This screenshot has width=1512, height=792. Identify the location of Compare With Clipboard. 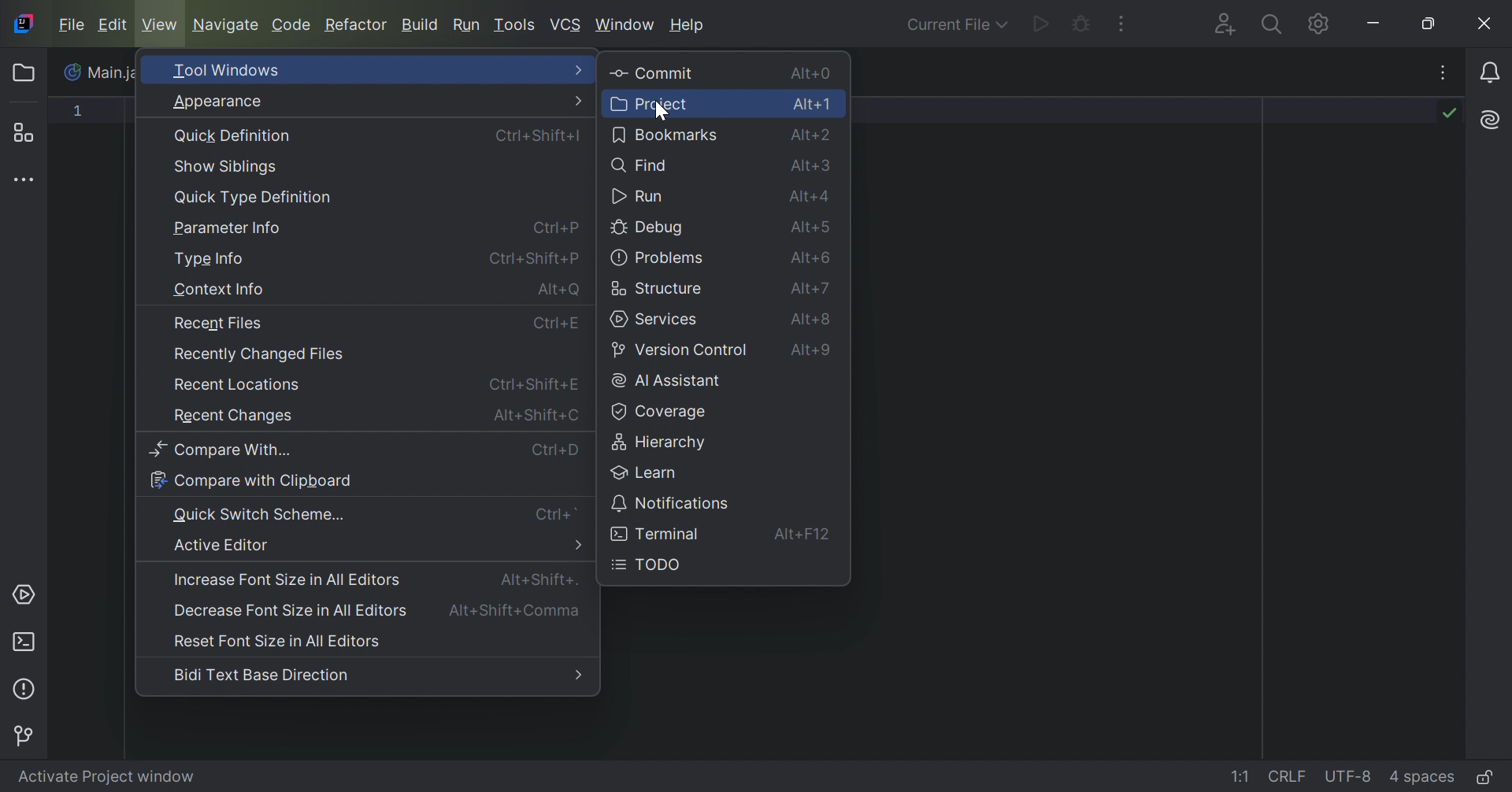
(251, 481).